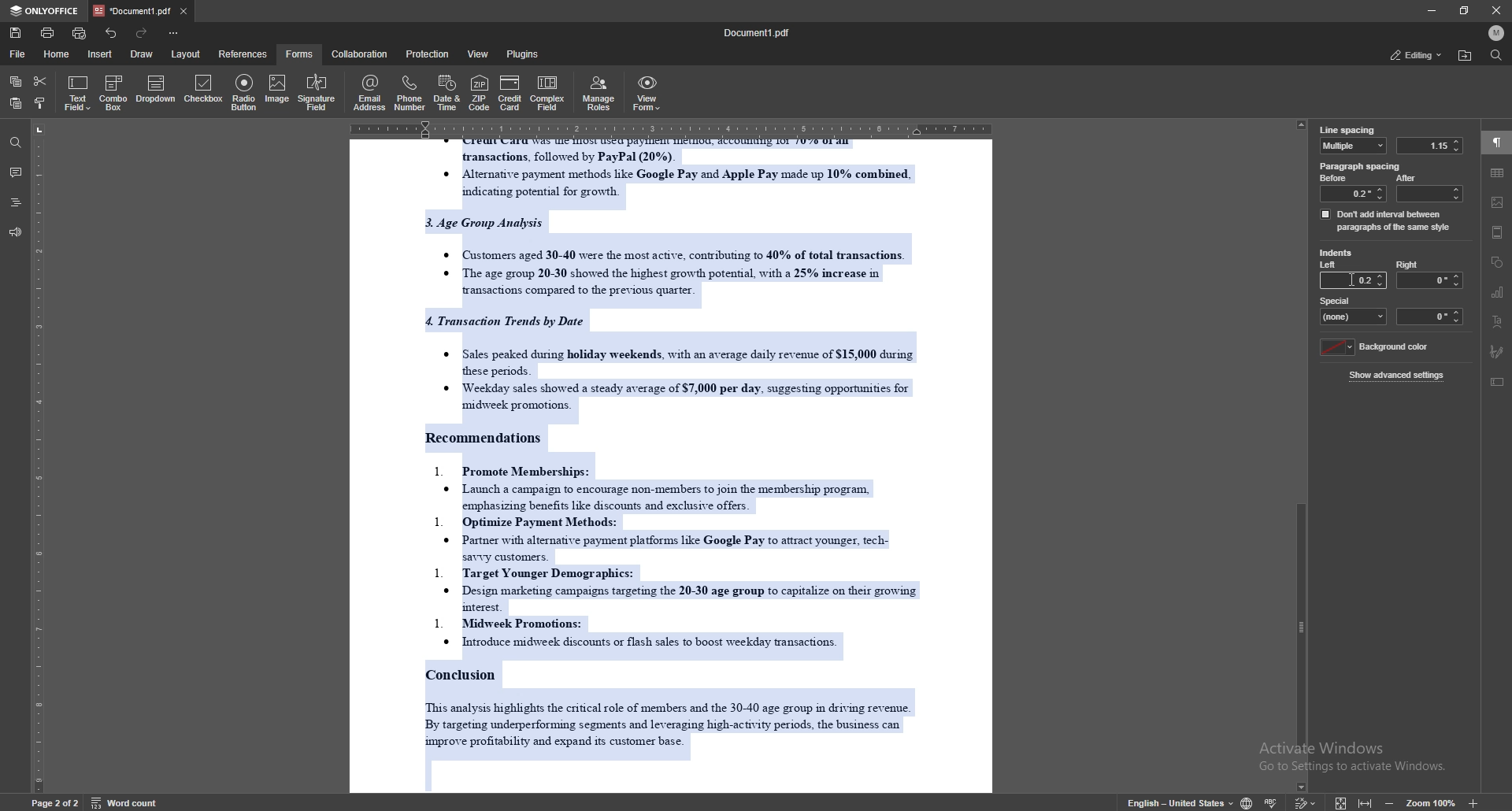 Image resolution: width=1512 pixels, height=811 pixels. I want to click on spell check, so click(1273, 801).